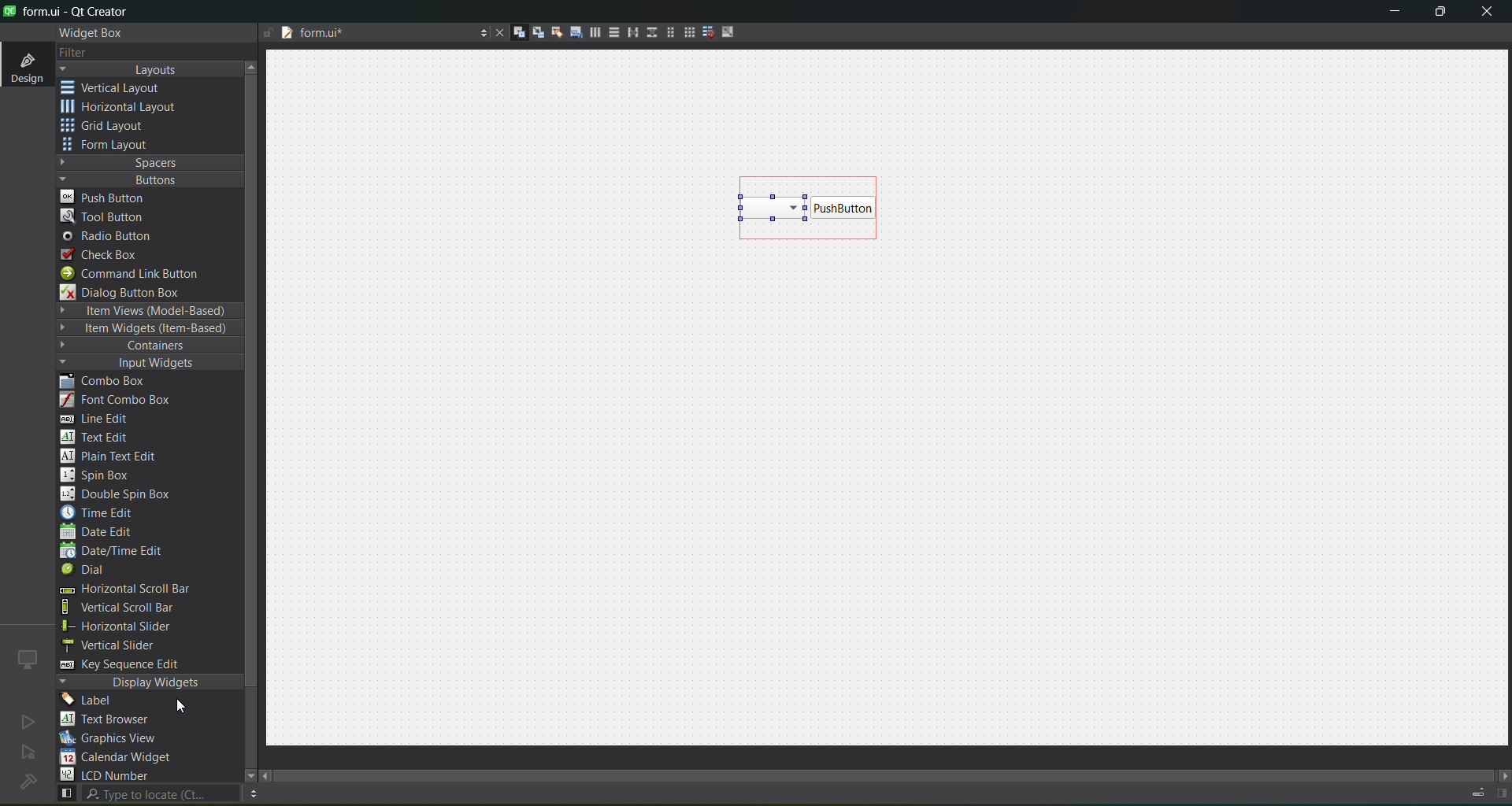  Describe the element at coordinates (150, 682) in the screenshot. I see `display widgets` at that location.